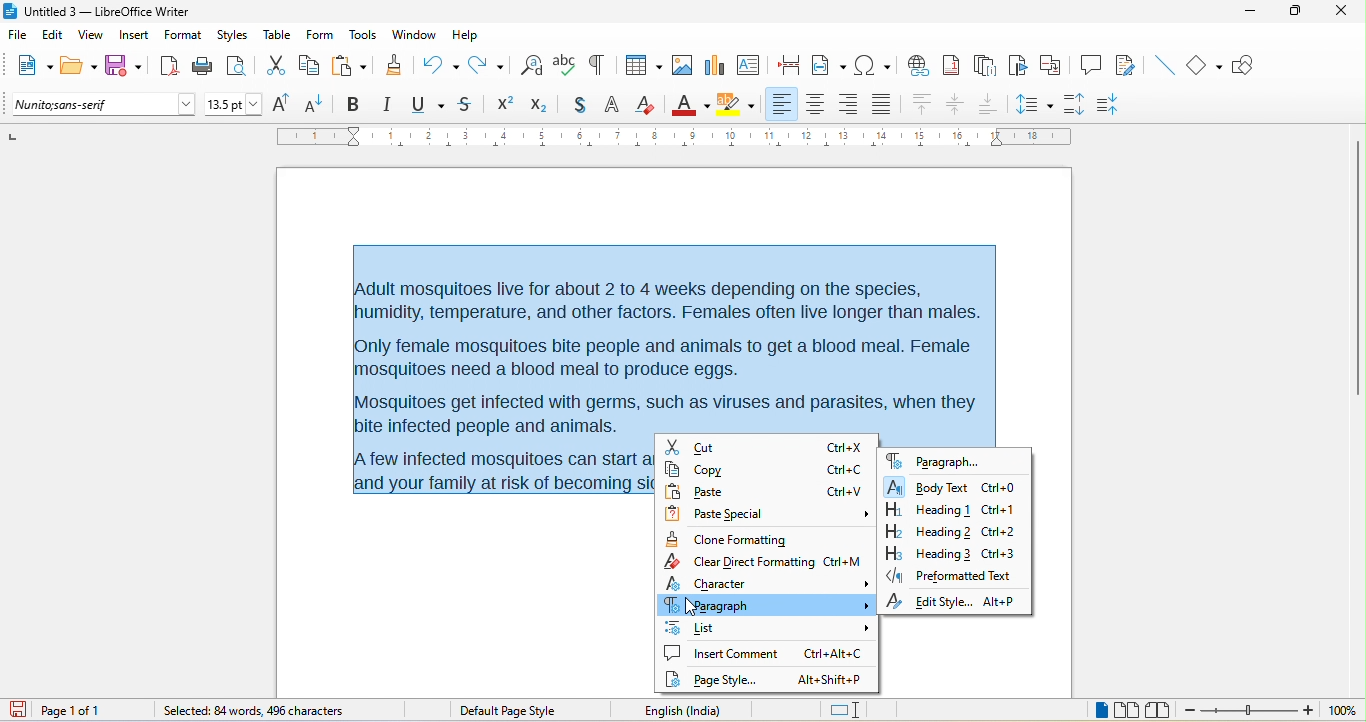 The height and width of the screenshot is (722, 1366). I want to click on superscript, so click(505, 104).